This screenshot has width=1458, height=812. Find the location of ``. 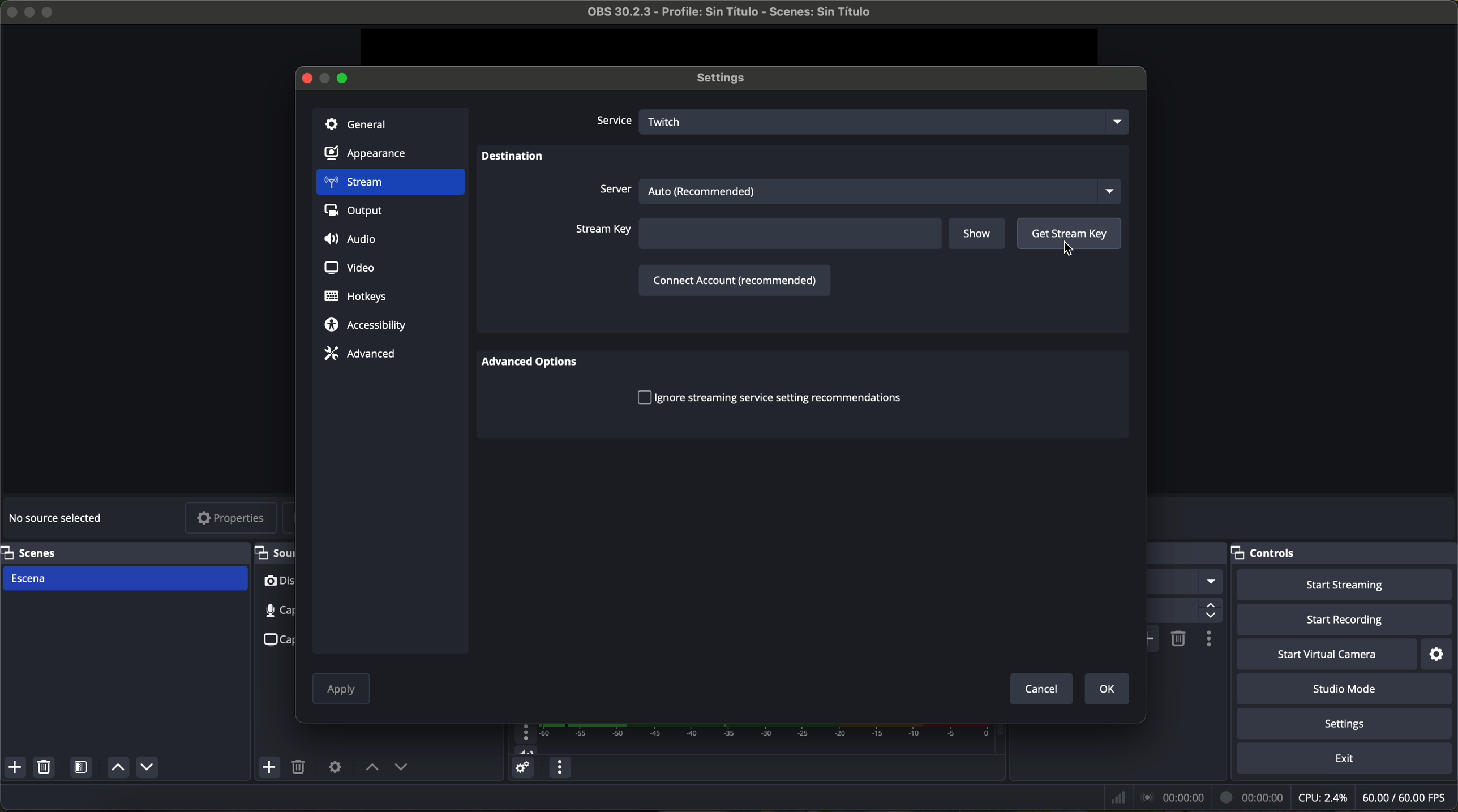

 is located at coordinates (1187, 553).